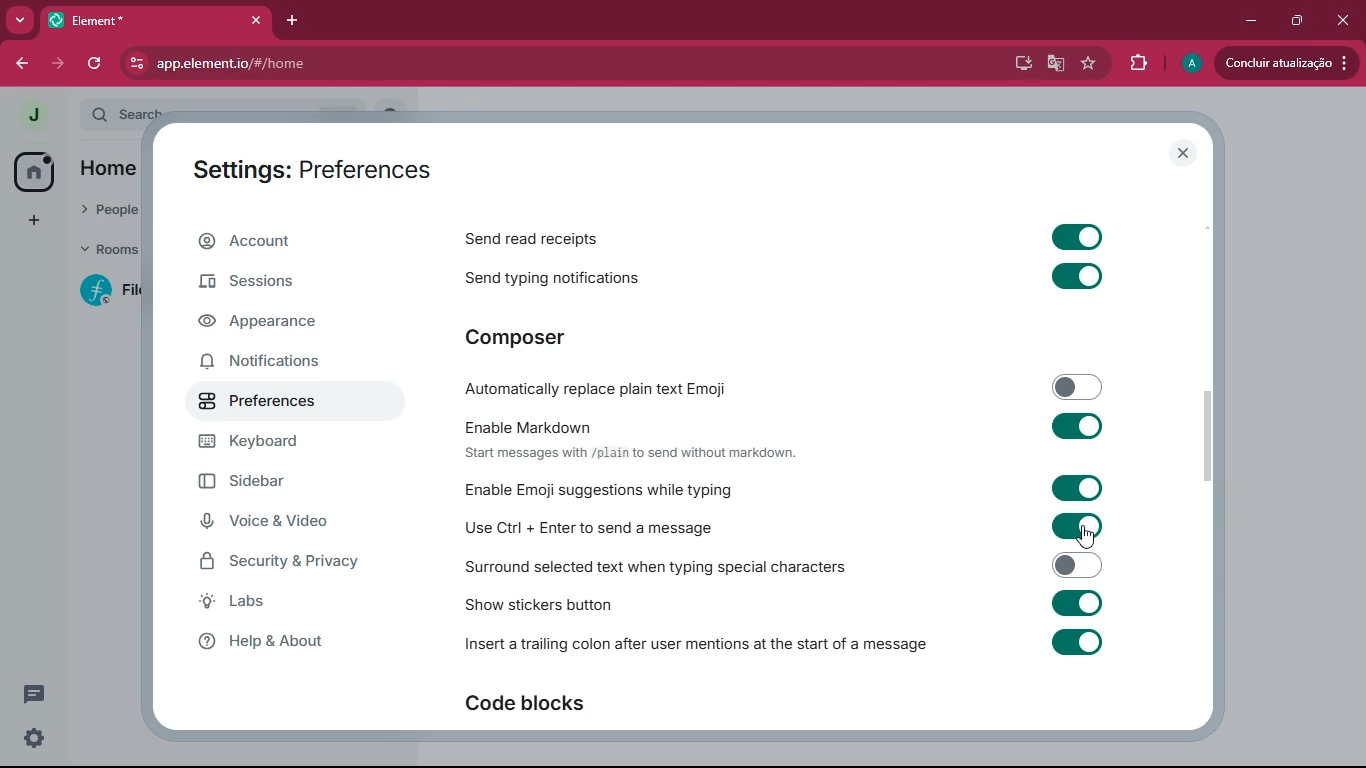 Image resolution: width=1366 pixels, height=768 pixels. Describe the element at coordinates (545, 340) in the screenshot. I see `composer` at that location.